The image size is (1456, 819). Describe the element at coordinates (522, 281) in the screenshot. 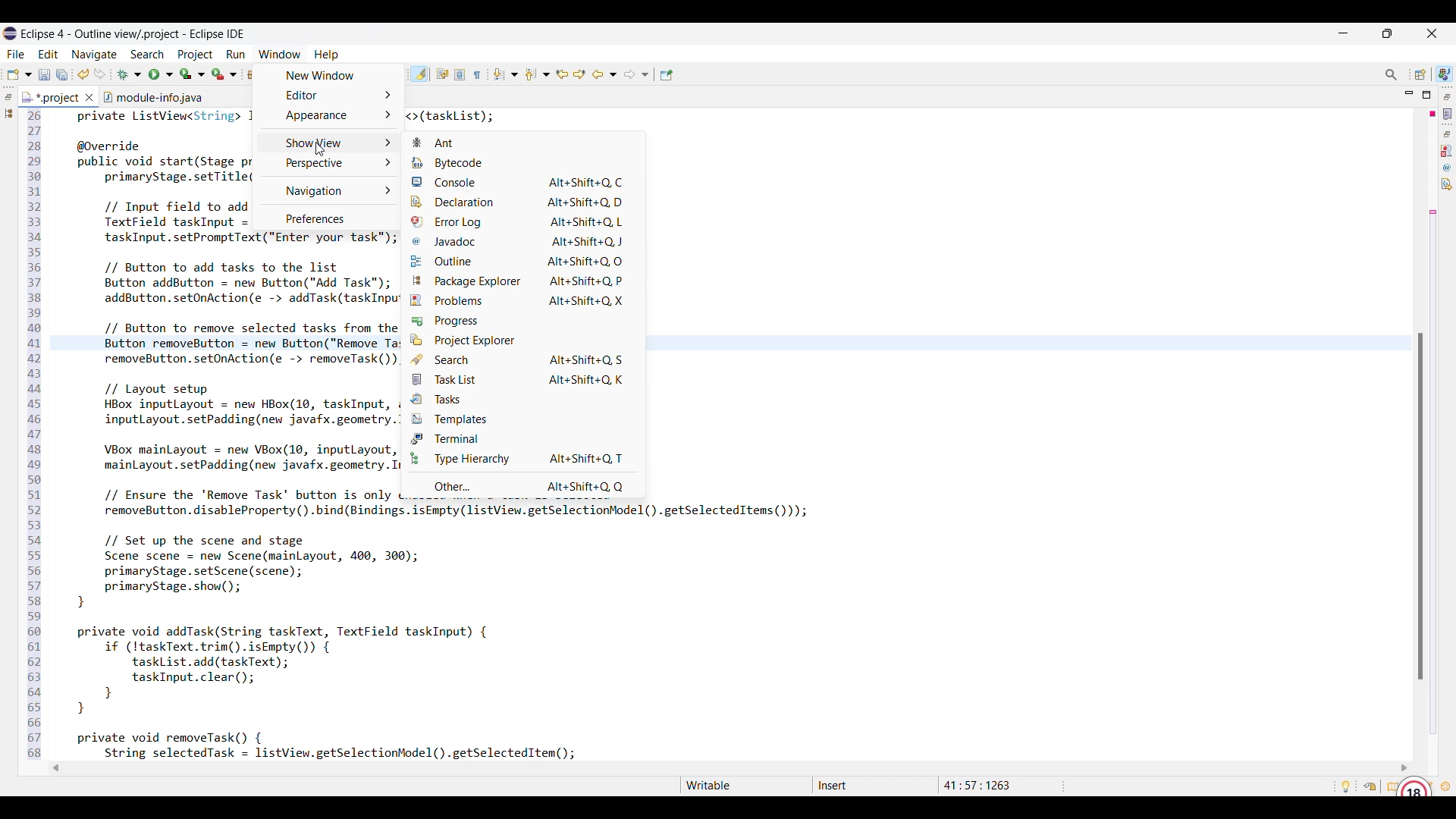

I see `Package explorer` at that location.